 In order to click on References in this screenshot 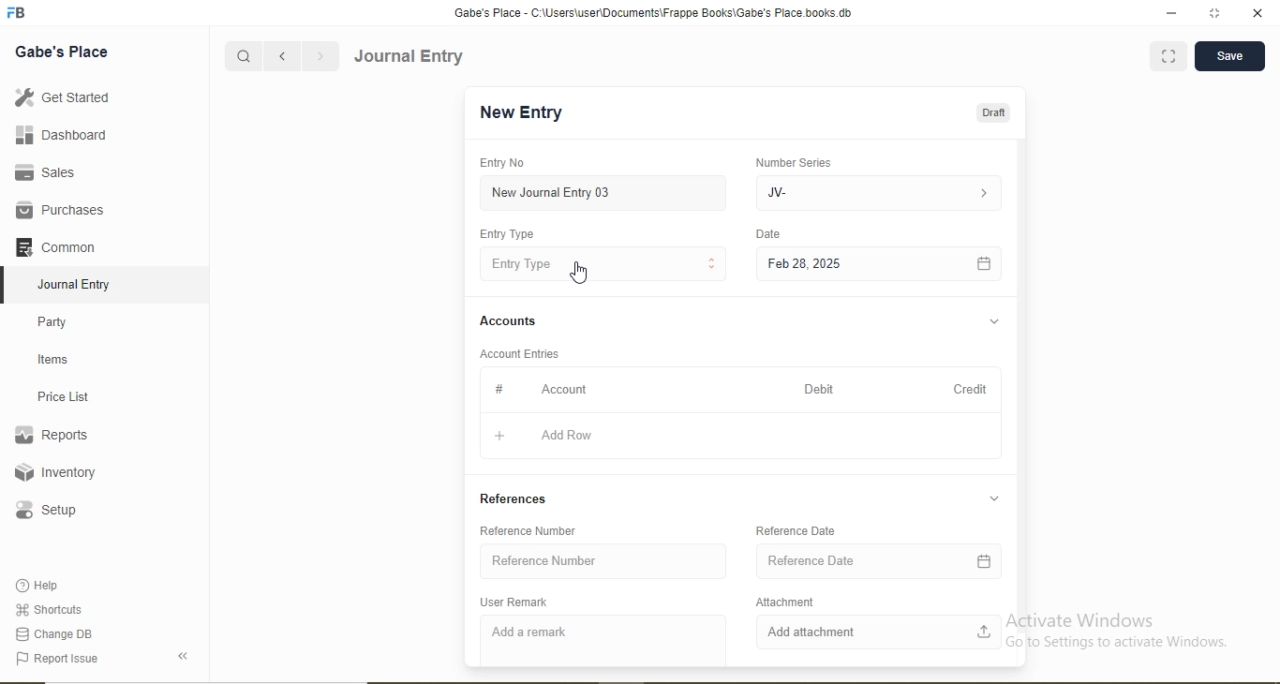, I will do `click(513, 499)`.